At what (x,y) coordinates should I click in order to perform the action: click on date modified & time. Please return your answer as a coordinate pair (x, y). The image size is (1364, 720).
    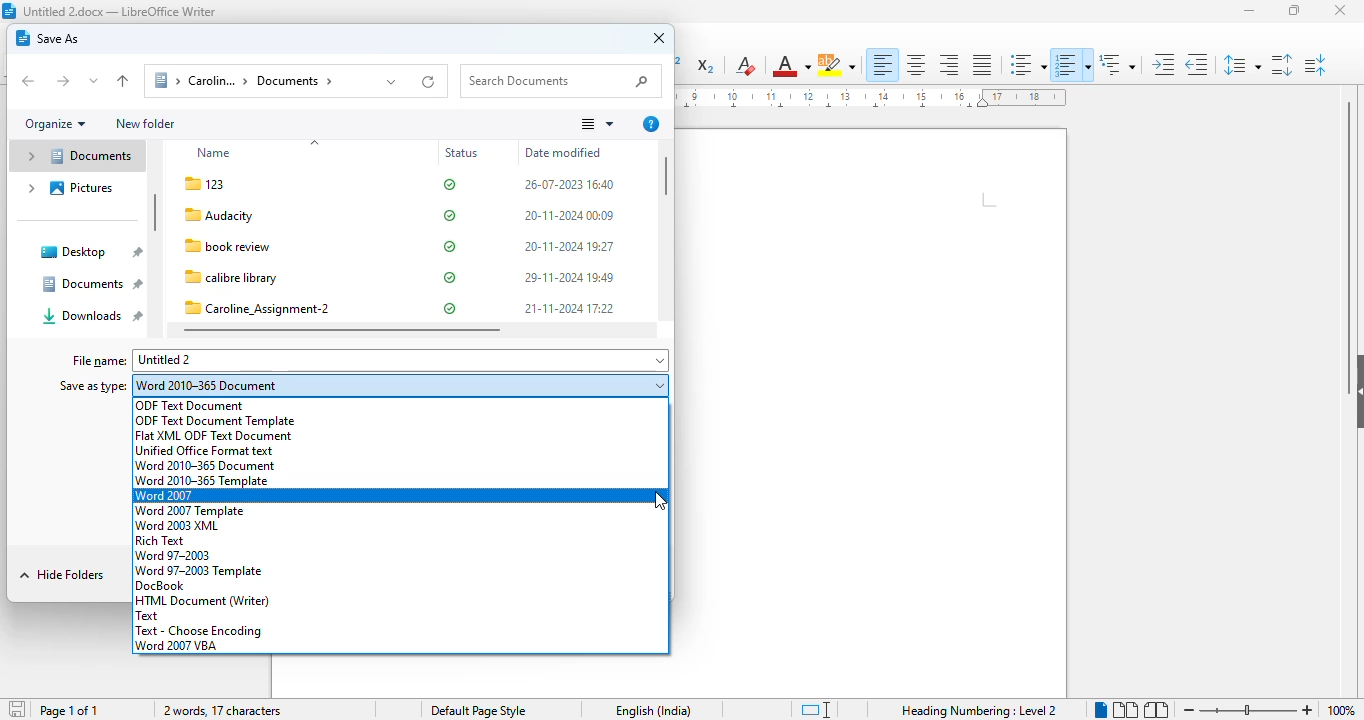
    Looking at the image, I should click on (569, 248).